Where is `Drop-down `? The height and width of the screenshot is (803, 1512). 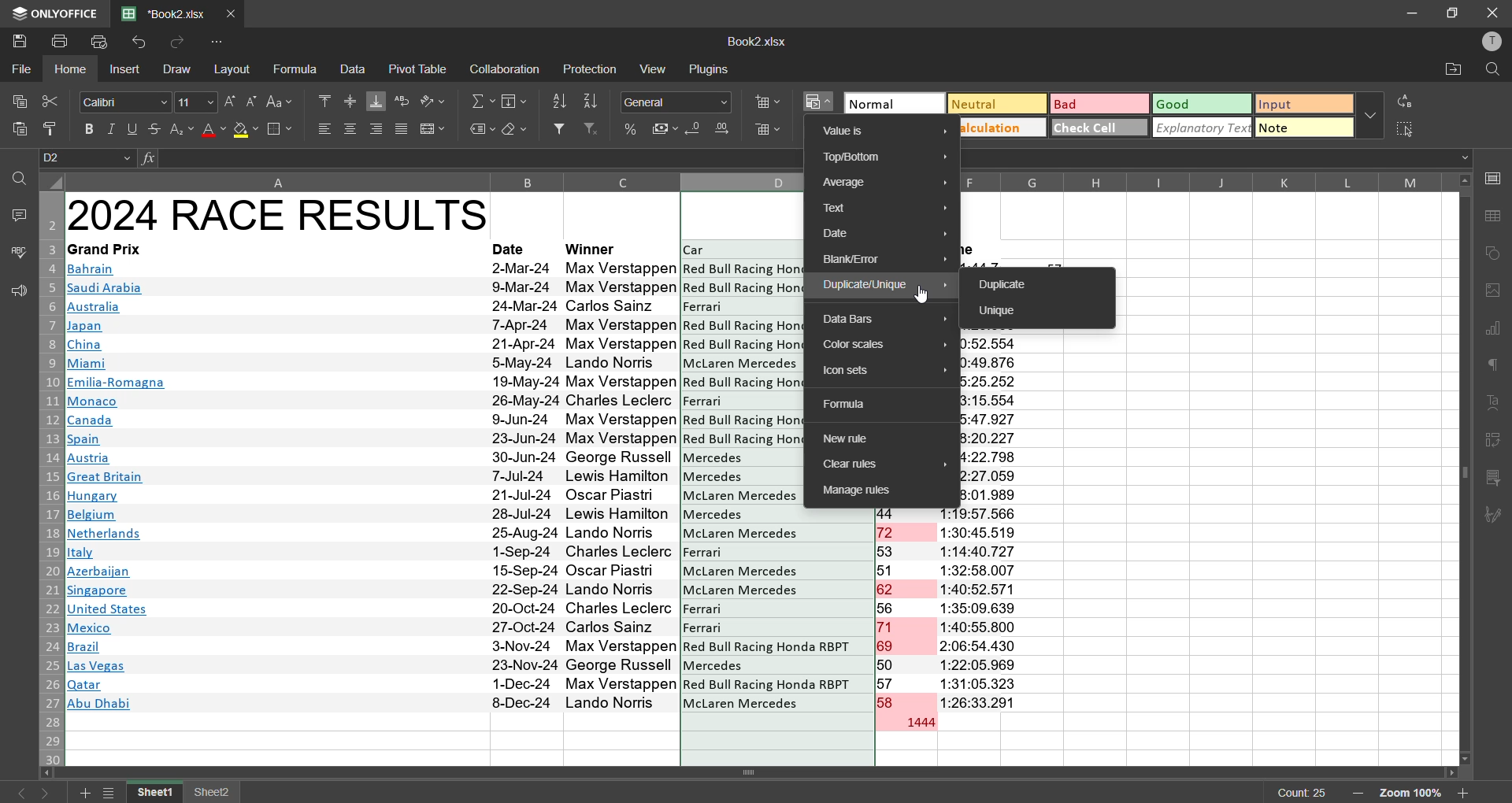
Drop-down  is located at coordinates (1467, 158).